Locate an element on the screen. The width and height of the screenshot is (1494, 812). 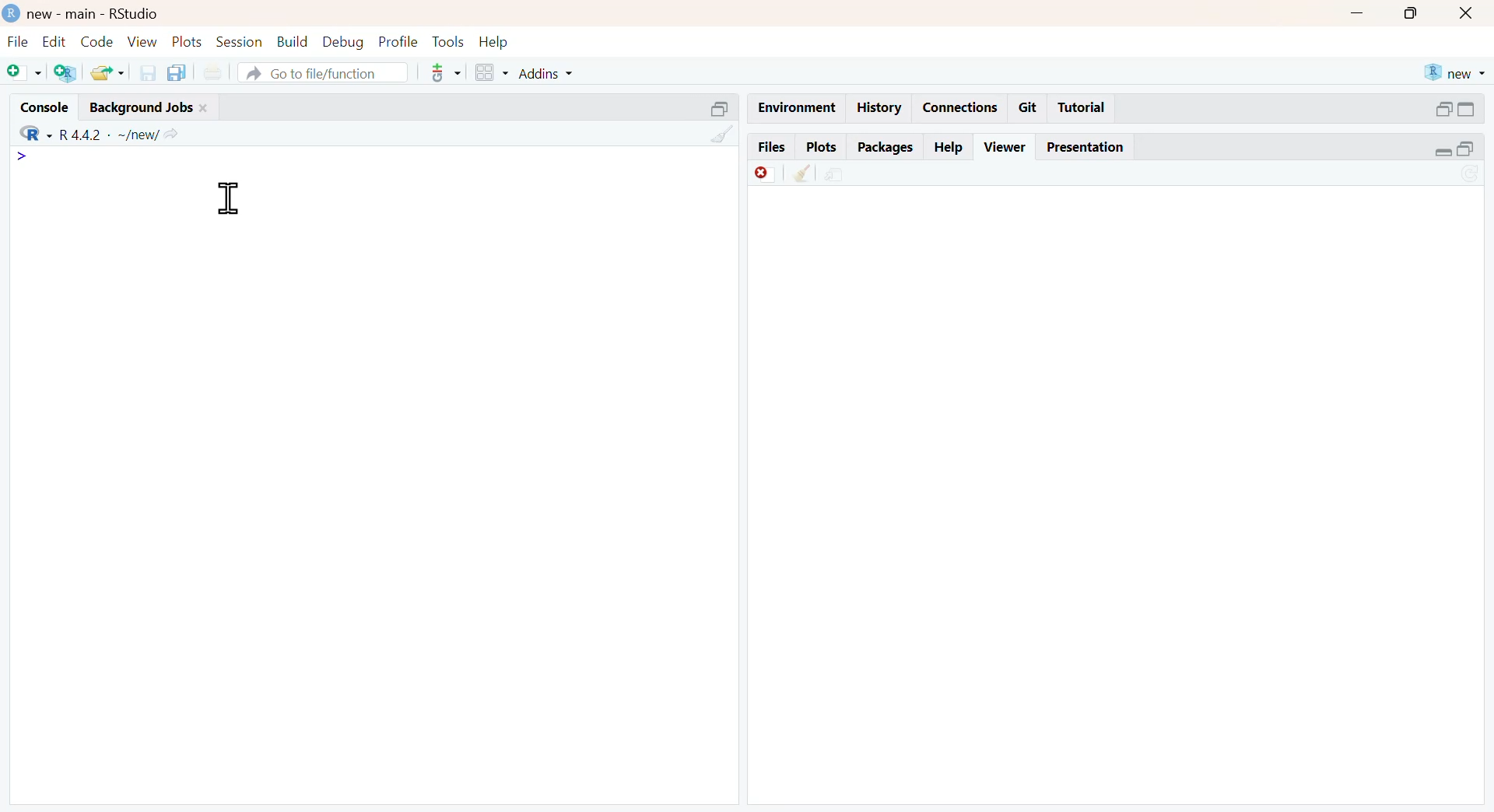
new - main - RStudio is located at coordinates (96, 13).